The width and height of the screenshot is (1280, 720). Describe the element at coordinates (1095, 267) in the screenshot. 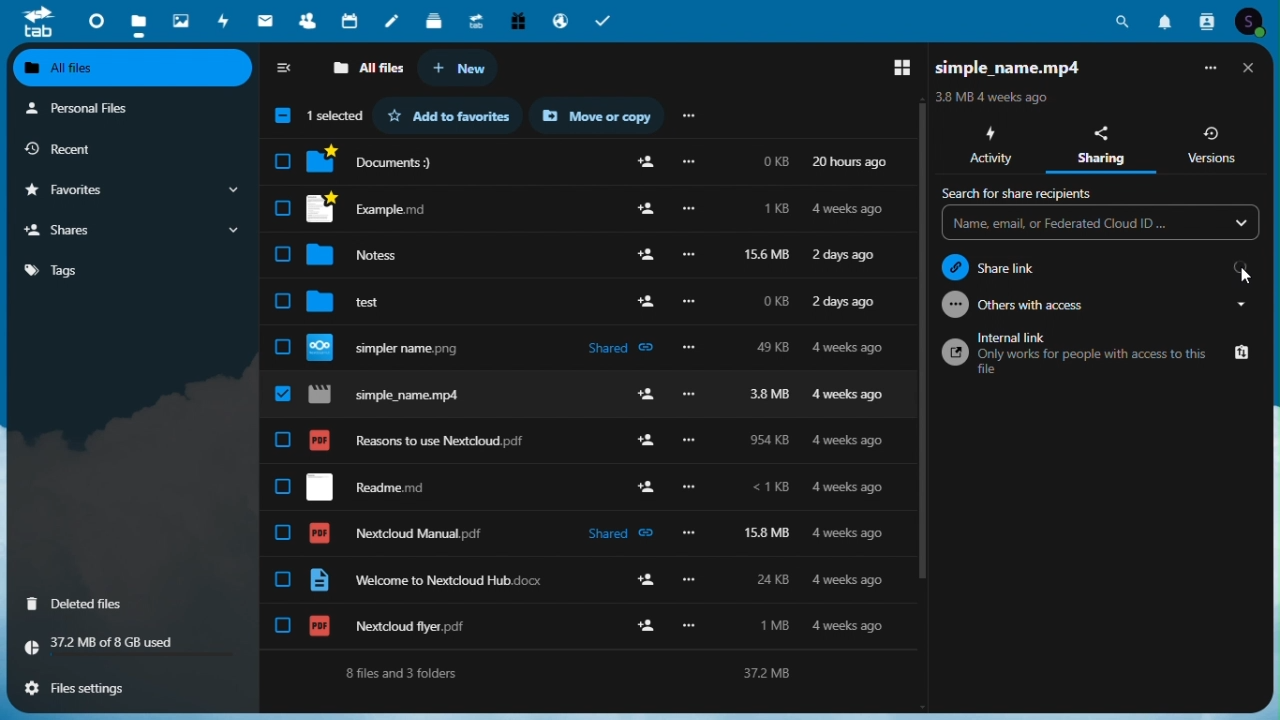

I see `Share link` at that location.